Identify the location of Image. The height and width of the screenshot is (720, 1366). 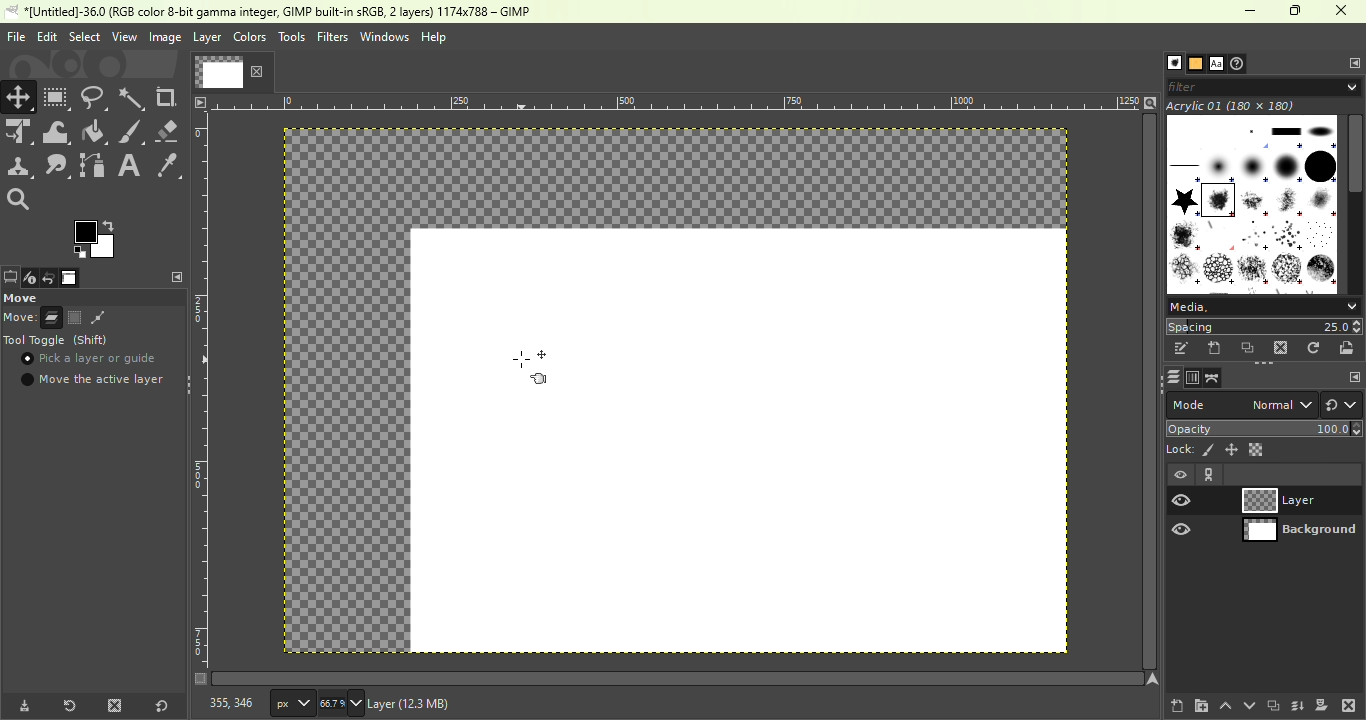
(70, 278).